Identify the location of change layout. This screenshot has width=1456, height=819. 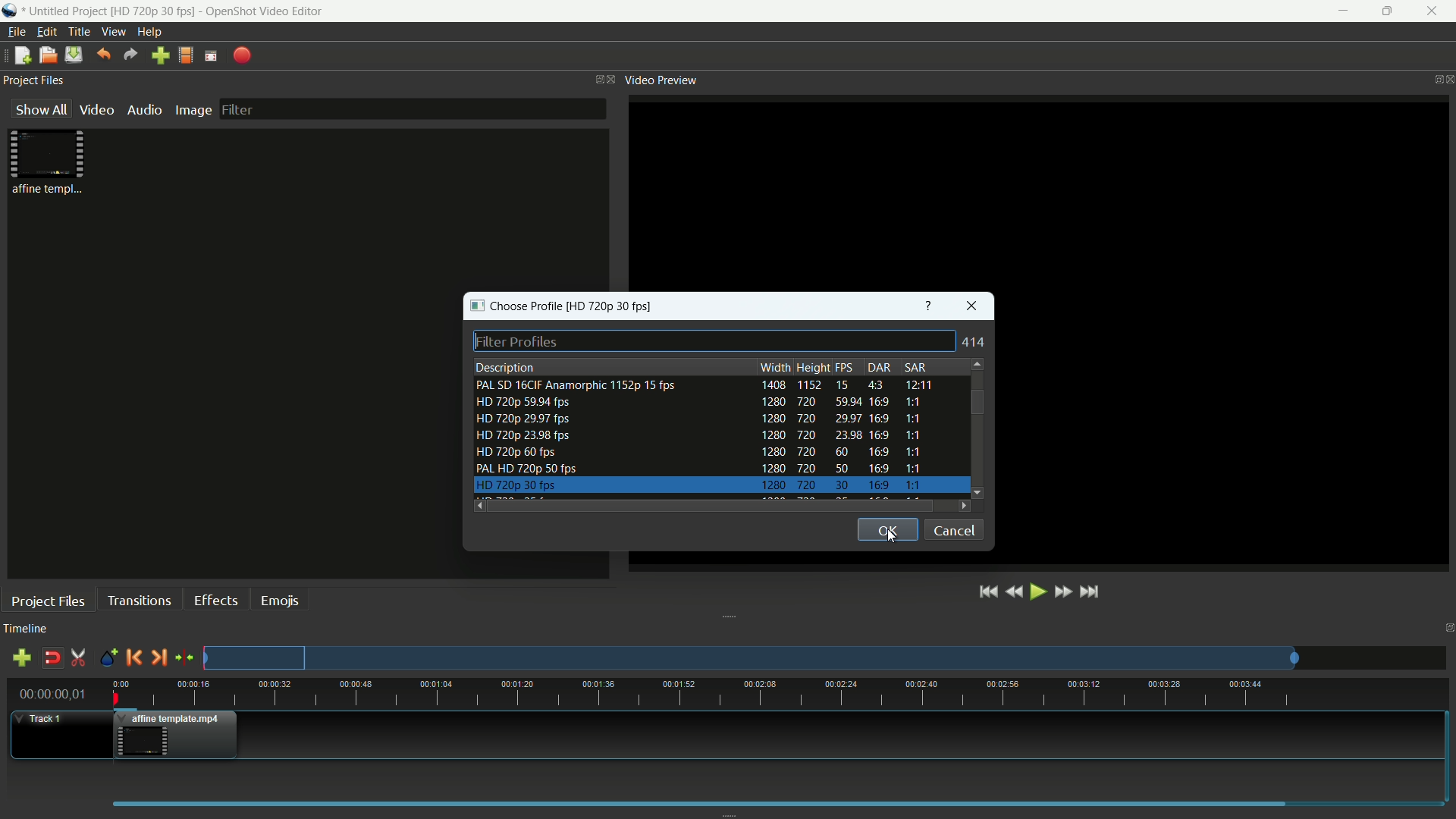
(595, 79).